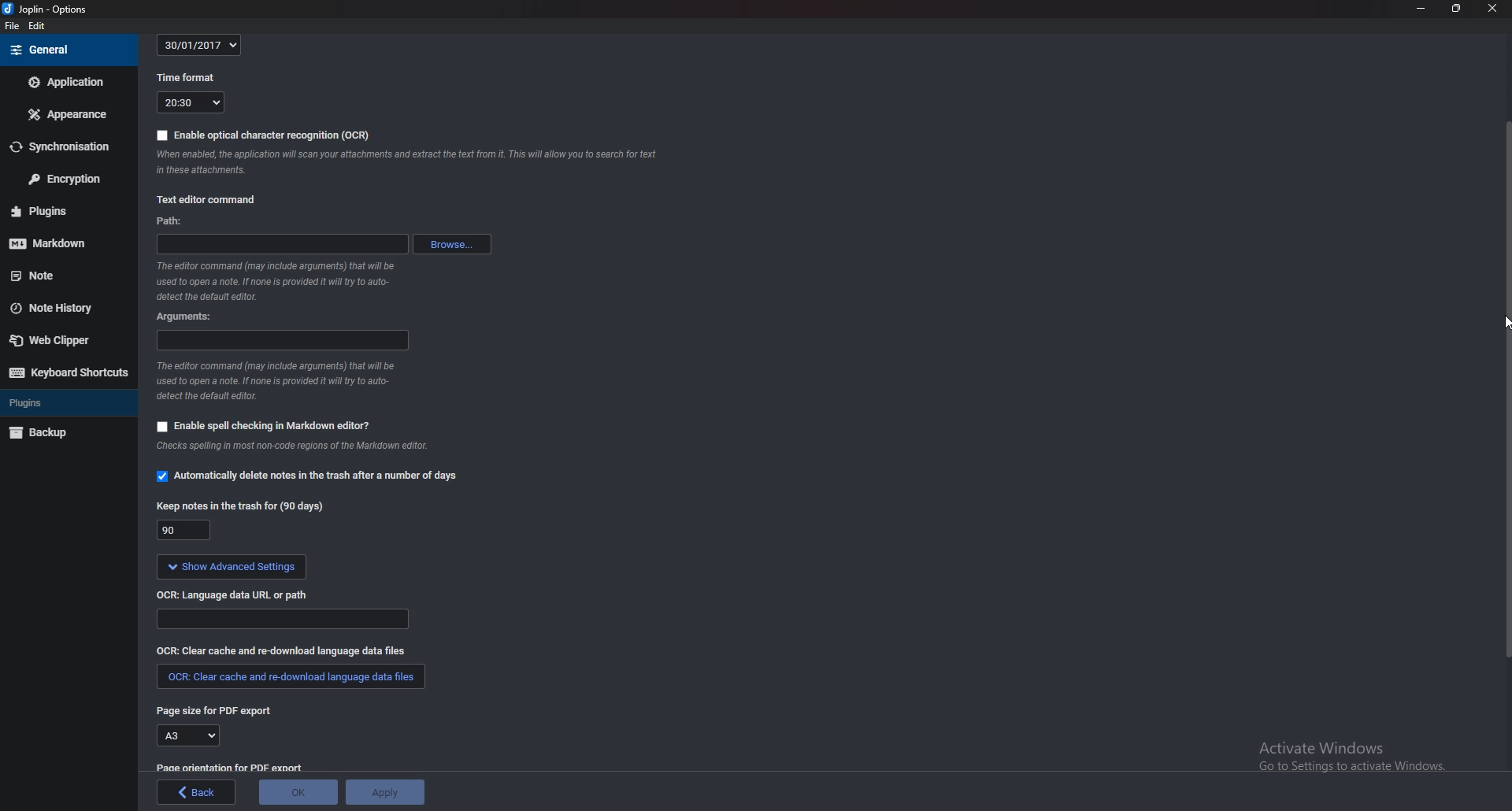 Image resolution: width=1512 pixels, height=811 pixels. What do you see at coordinates (232, 567) in the screenshot?
I see `Show advanced settings` at bounding box center [232, 567].